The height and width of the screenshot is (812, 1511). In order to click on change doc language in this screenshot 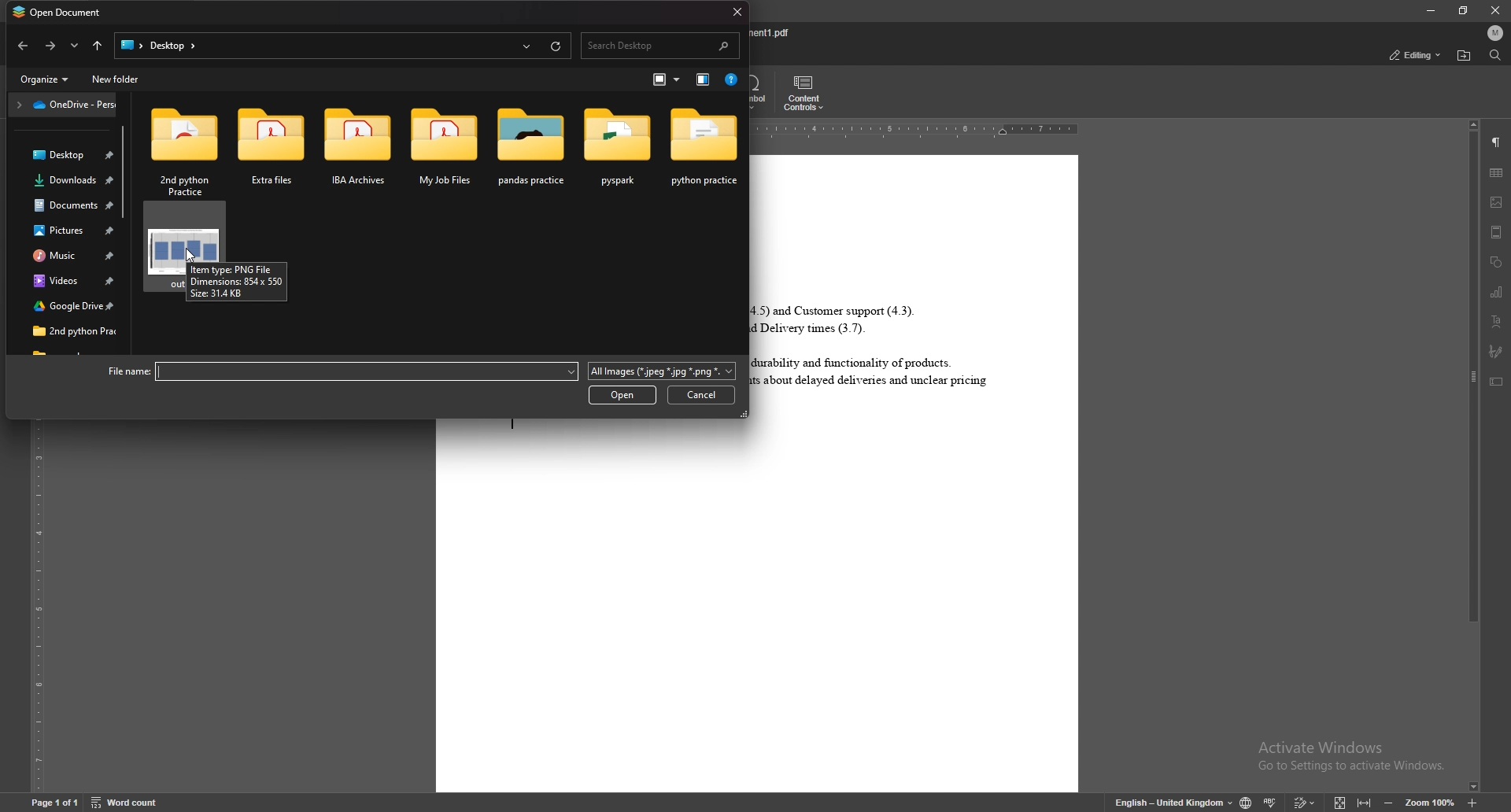, I will do `click(1245, 803)`.